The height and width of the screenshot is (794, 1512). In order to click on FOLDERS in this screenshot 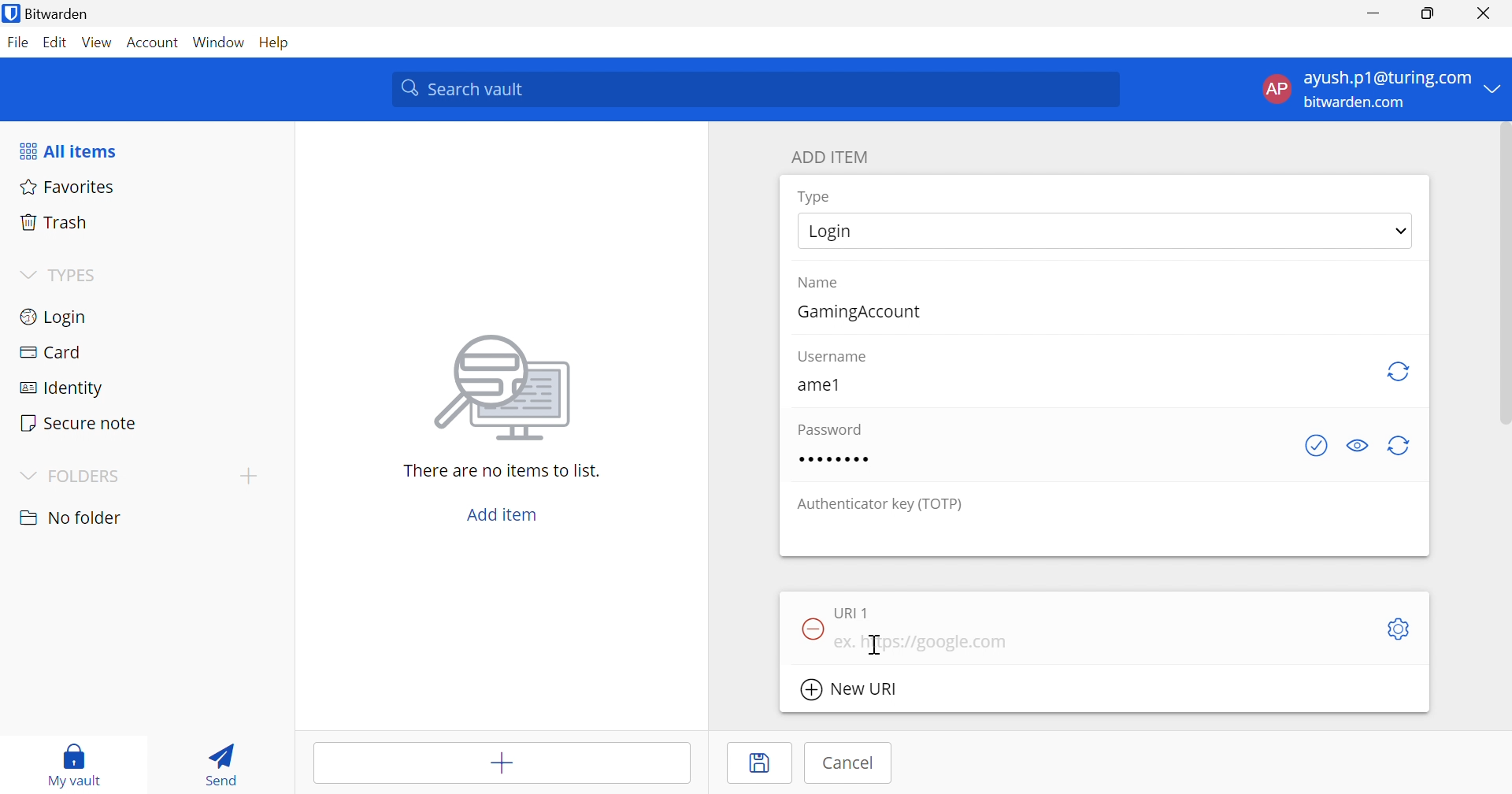, I will do `click(87, 477)`.